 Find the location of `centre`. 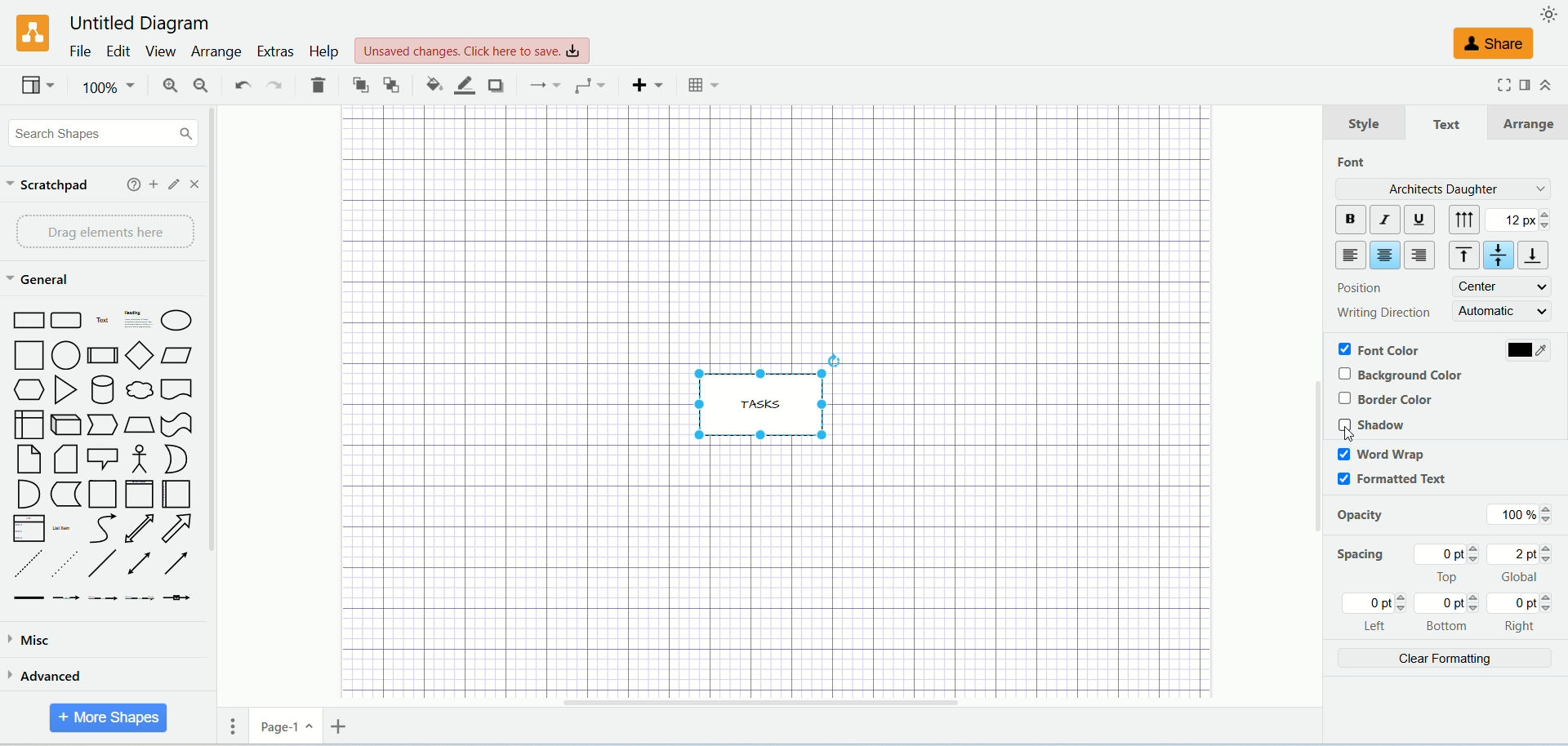

centre is located at coordinates (1502, 286).